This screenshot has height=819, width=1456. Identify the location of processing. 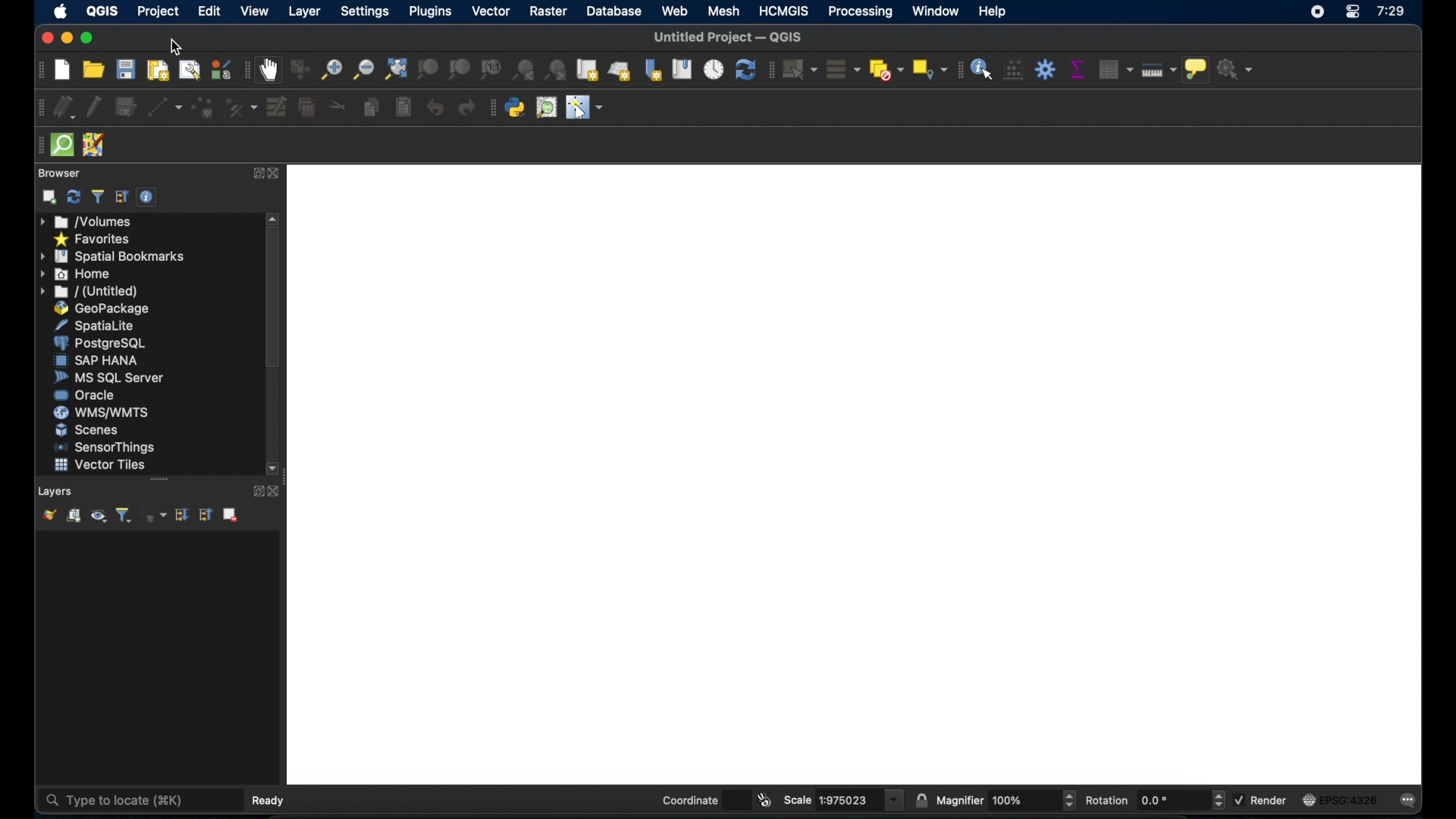
(858, 11).